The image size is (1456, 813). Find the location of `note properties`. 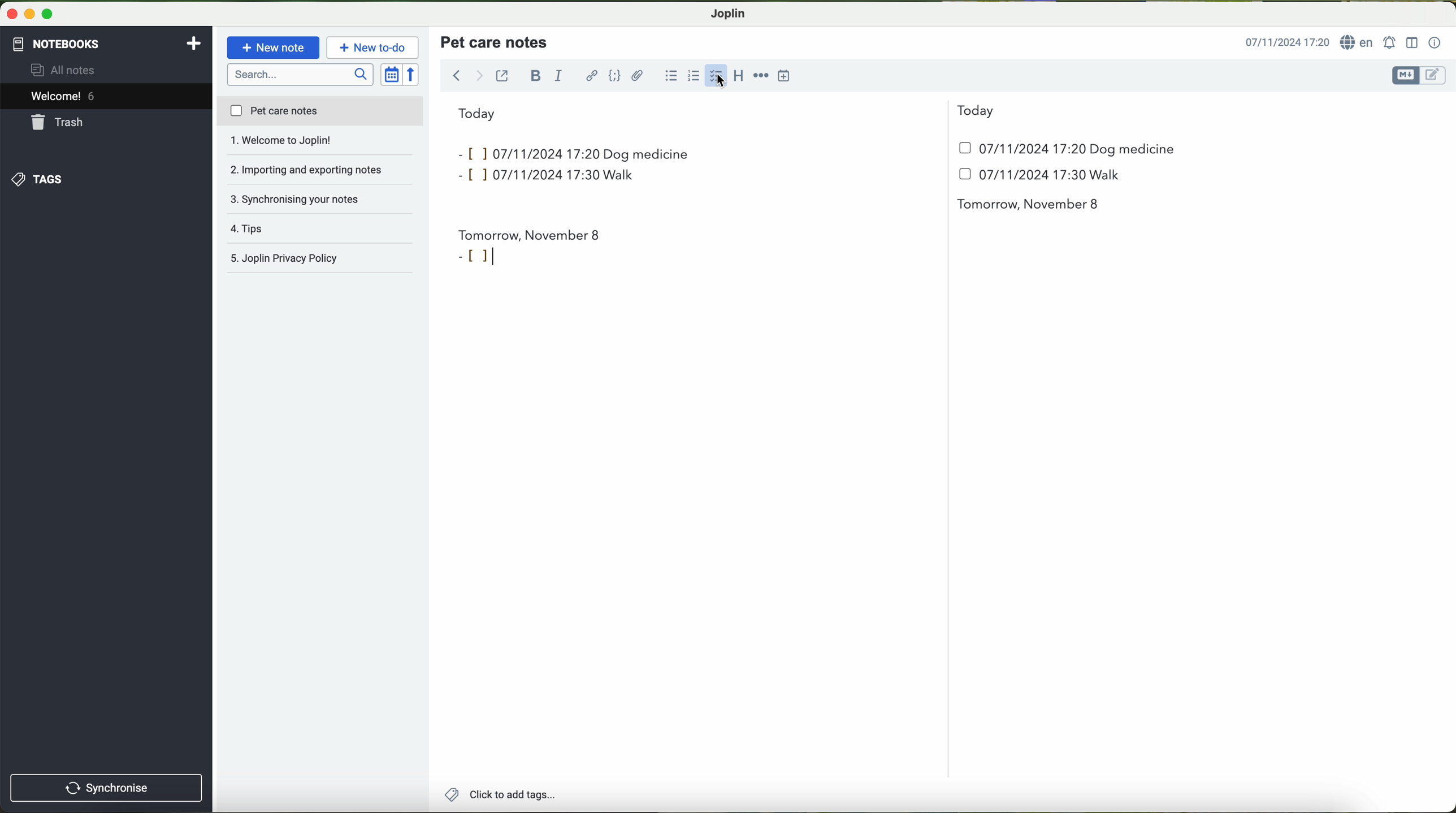

note properties is located at coordinates (1435, 43).